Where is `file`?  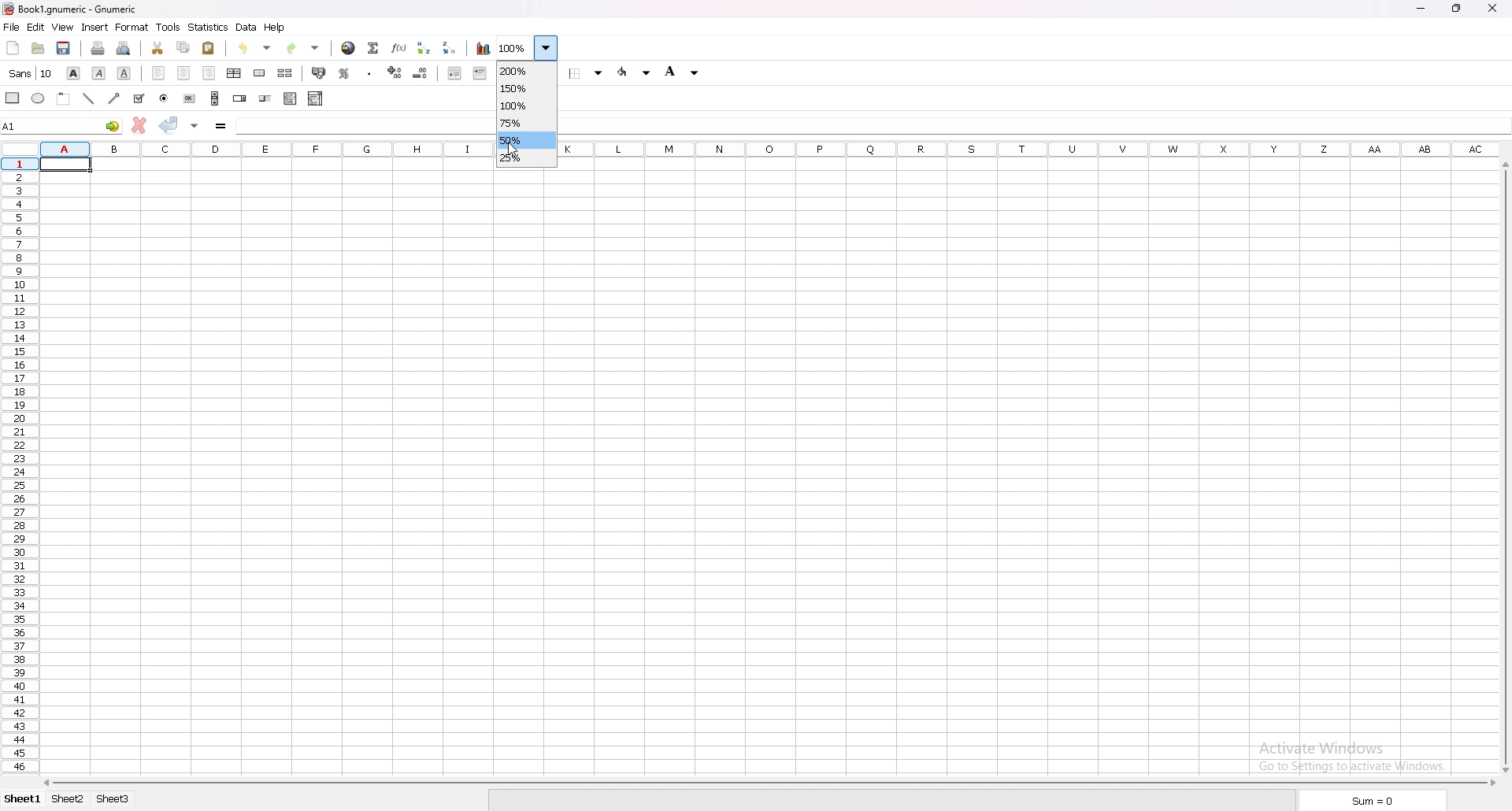 file is located at coordinates (13, 27).